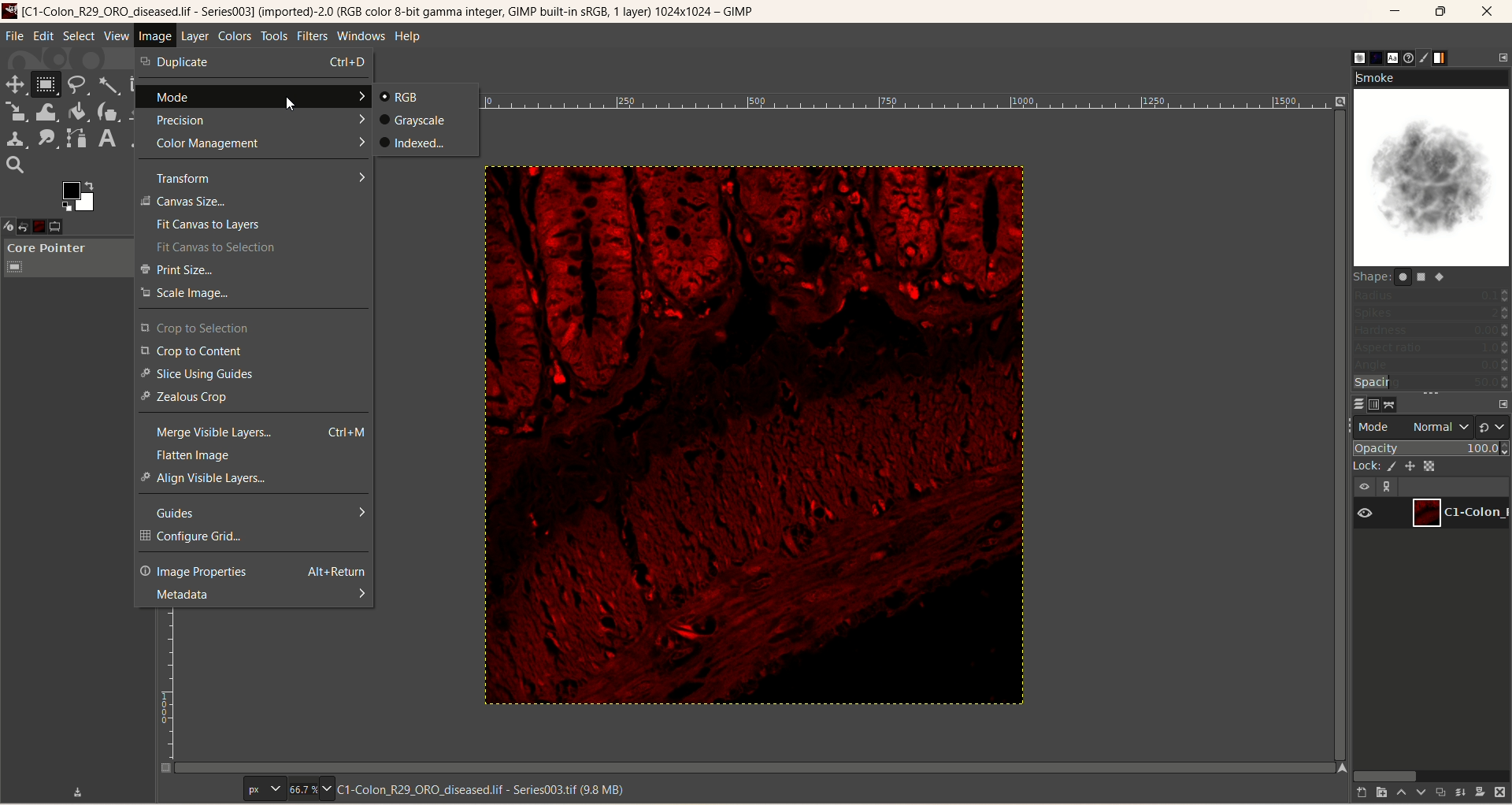 The image size is (1512, 805). Describe the element at coordinates (1403, 276) in the screenshot. I see `shape` at that location.